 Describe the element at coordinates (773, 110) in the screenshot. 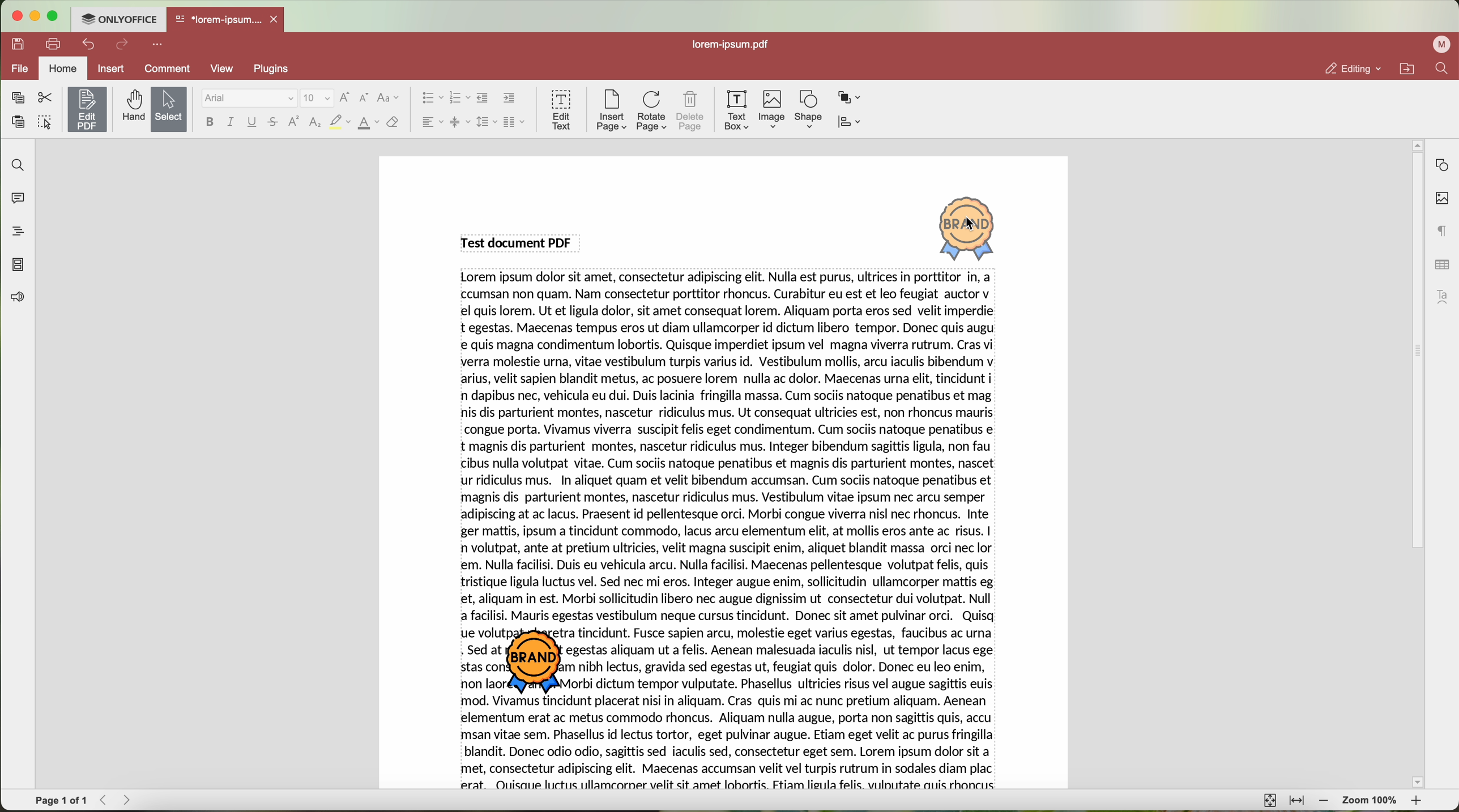

I see `Image` at that location.